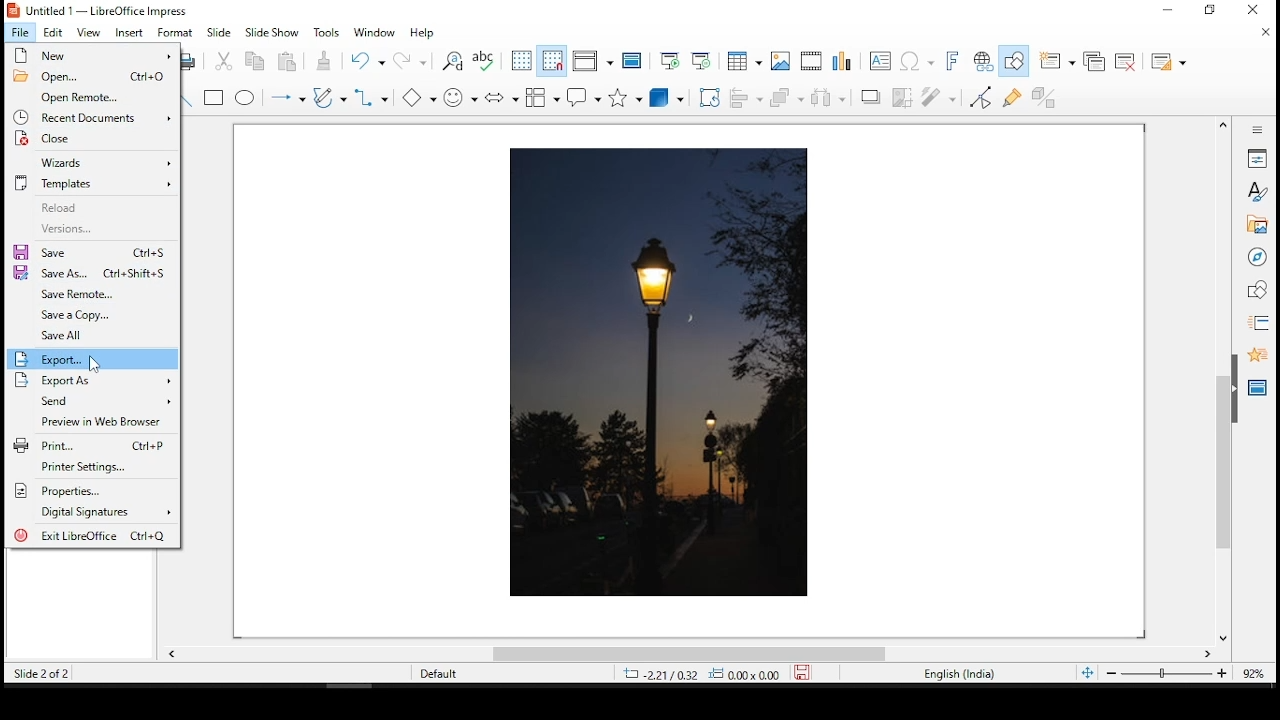  I want to click on hyperlink, so click(983, 59).